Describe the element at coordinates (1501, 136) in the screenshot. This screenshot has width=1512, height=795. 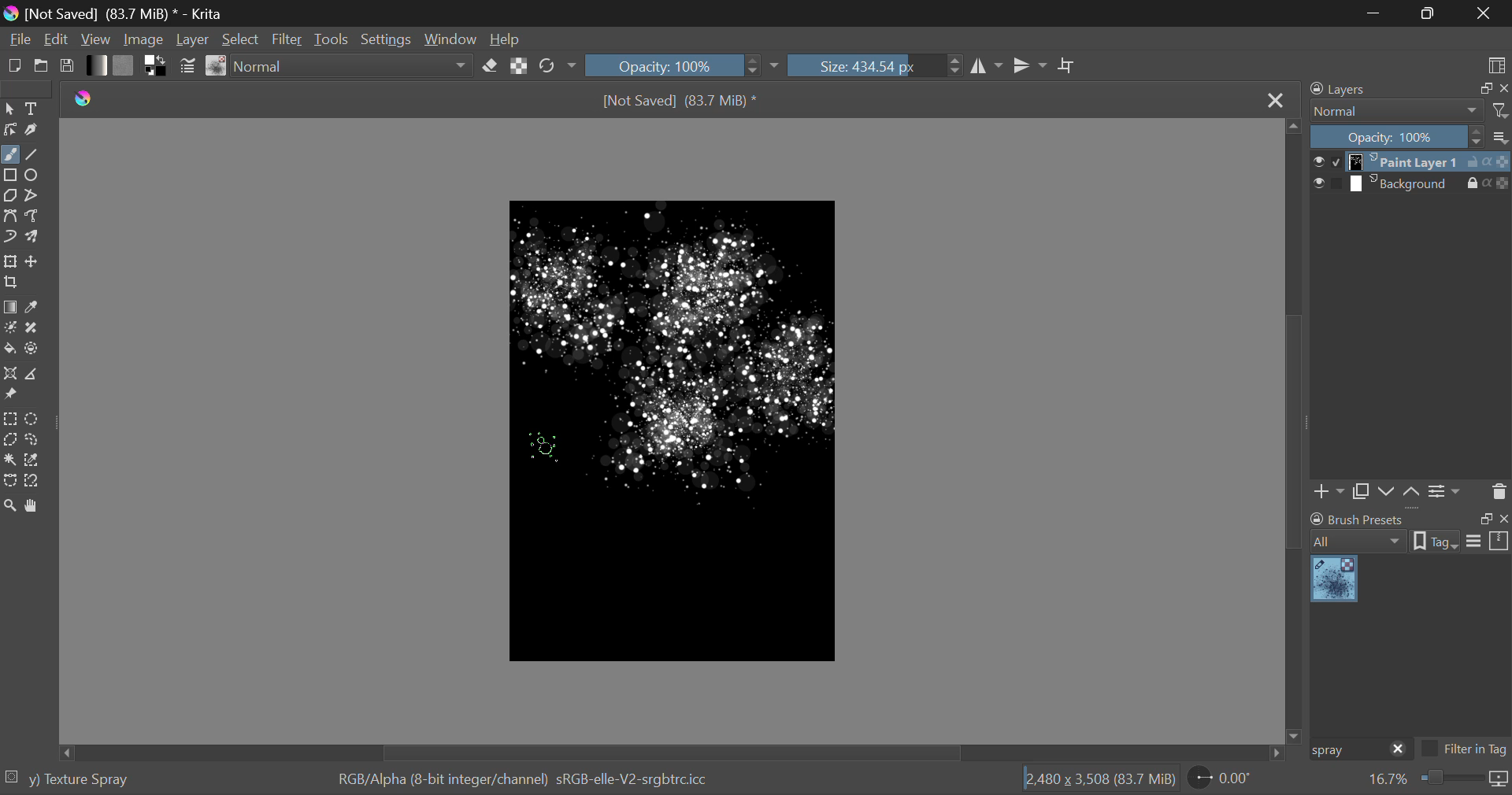
I see `more` at that location.